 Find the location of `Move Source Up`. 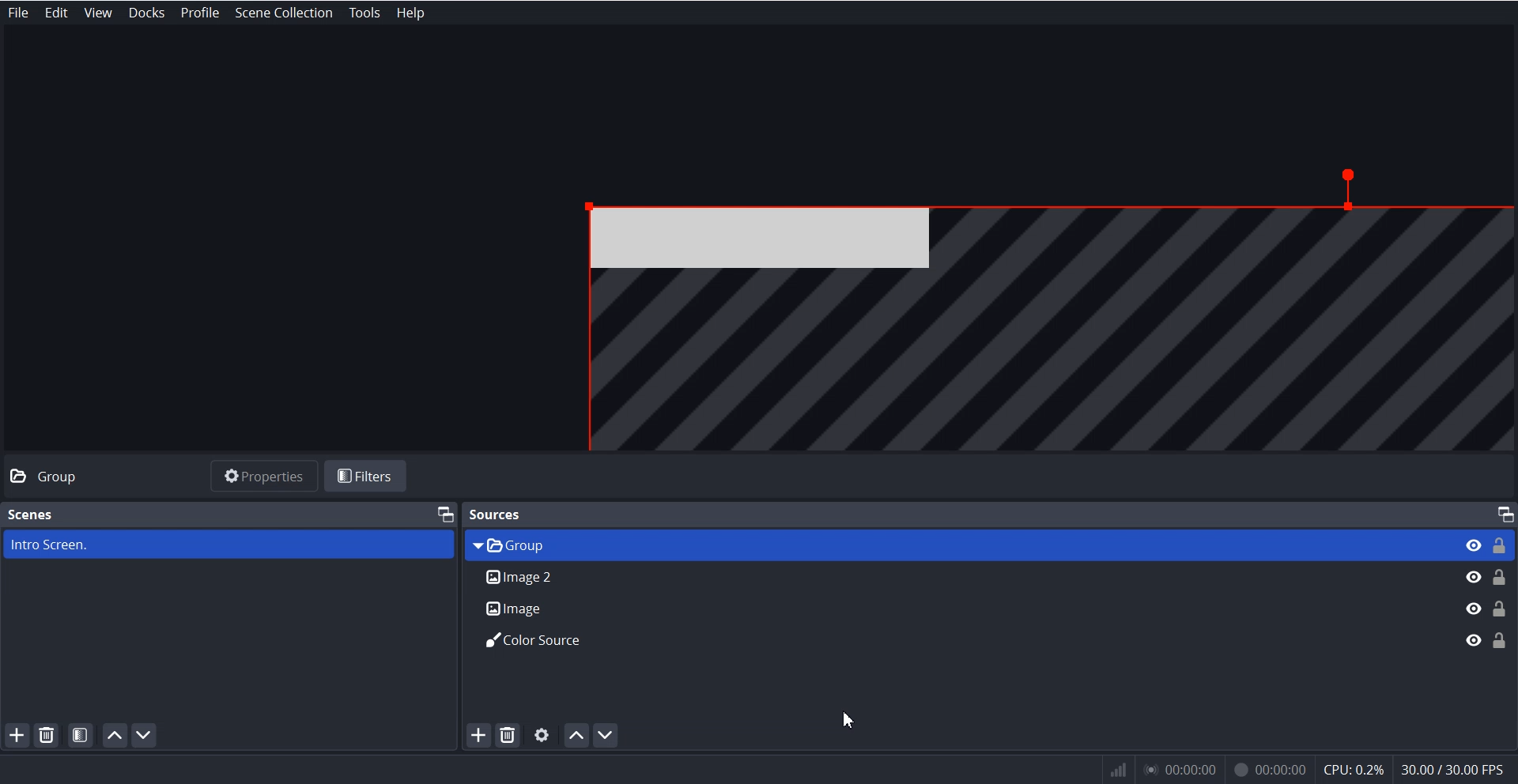

Move Source Up is located at coordinates (576, 735).